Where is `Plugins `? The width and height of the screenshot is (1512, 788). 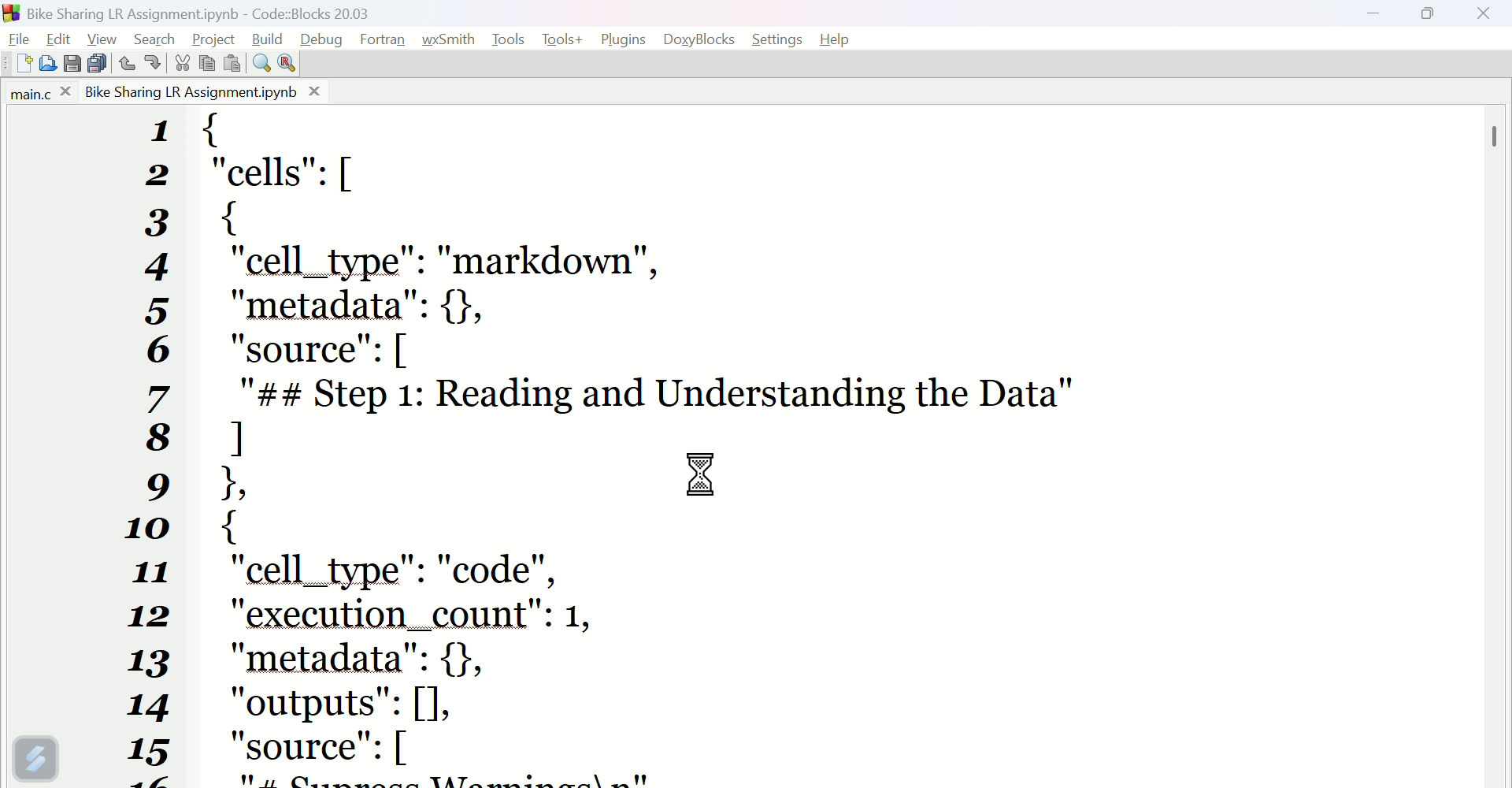 Plugins  is located at coordinates (622, 39).